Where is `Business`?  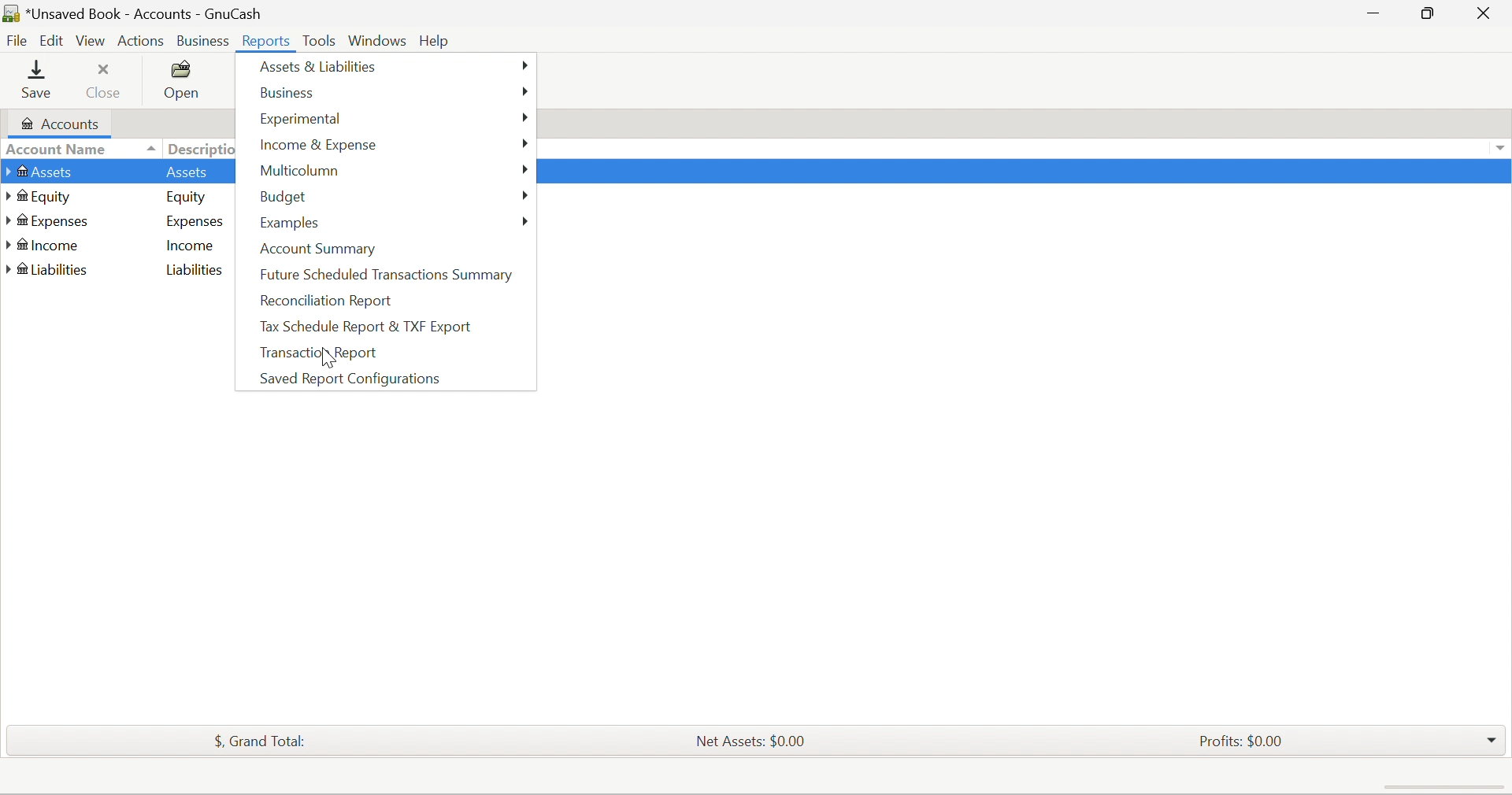
Business is located at coordinates (201, 39).